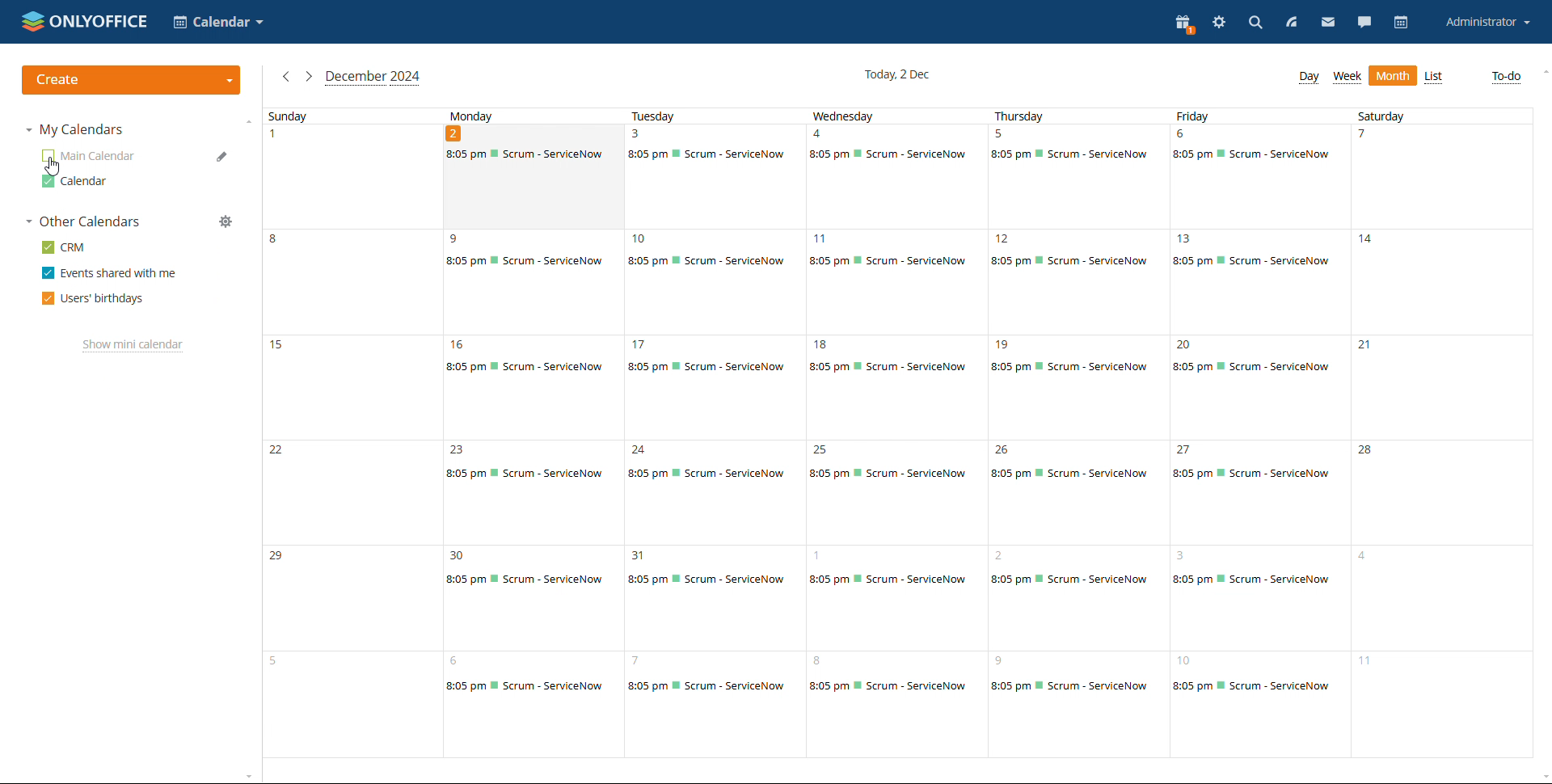 The width and height of the screenshot is (1552, 784). What do you see at coordinates (108, 272) in the screenshot?
I see `events shared with me` at bounding box center [108, 272].